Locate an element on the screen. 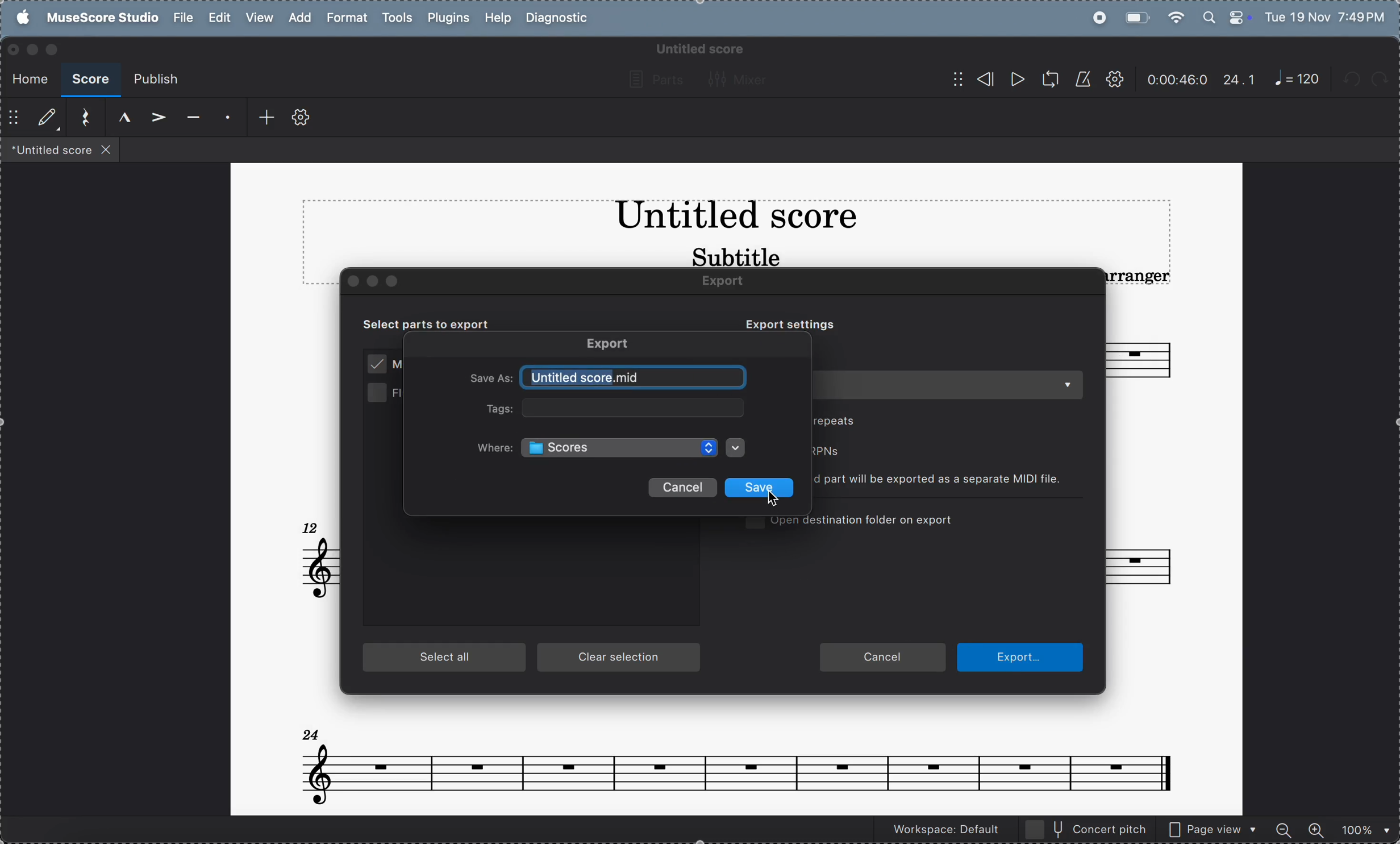  note 120 is located at coordinates (1297, 80).